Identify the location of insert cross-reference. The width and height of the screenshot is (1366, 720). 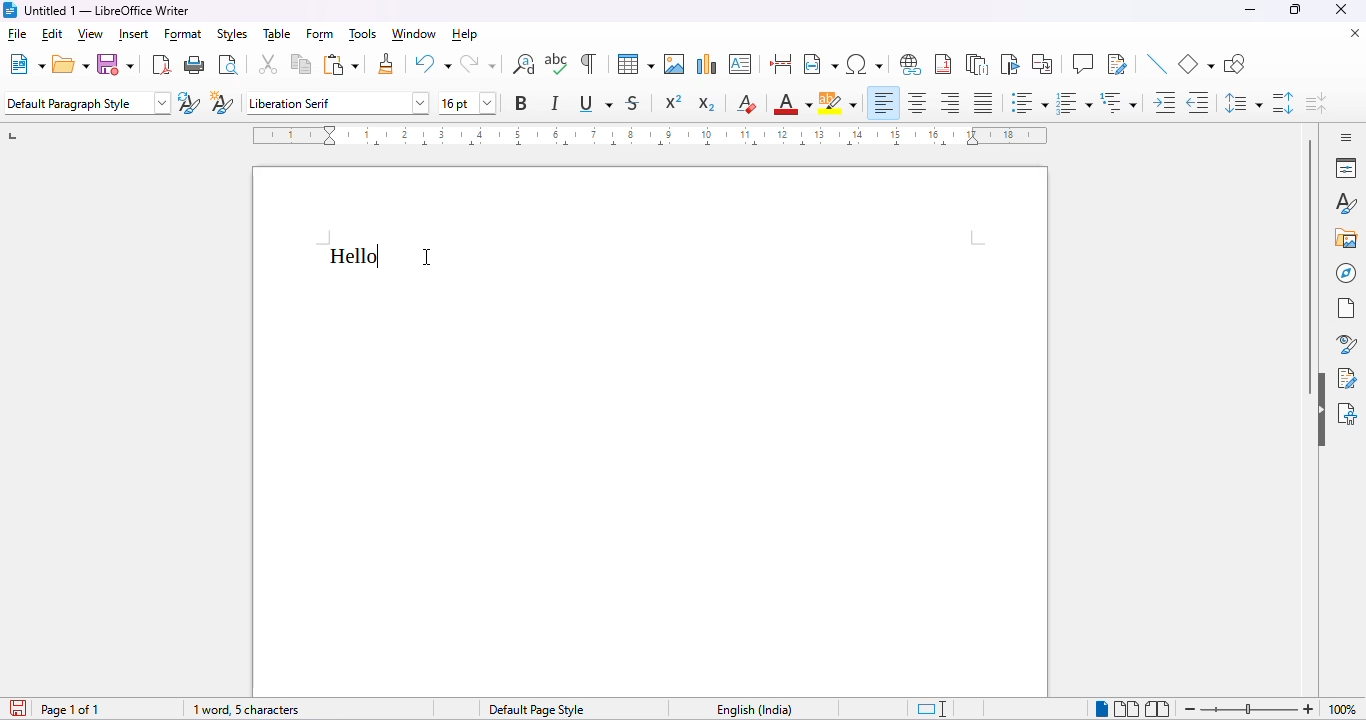
(1043, 64).